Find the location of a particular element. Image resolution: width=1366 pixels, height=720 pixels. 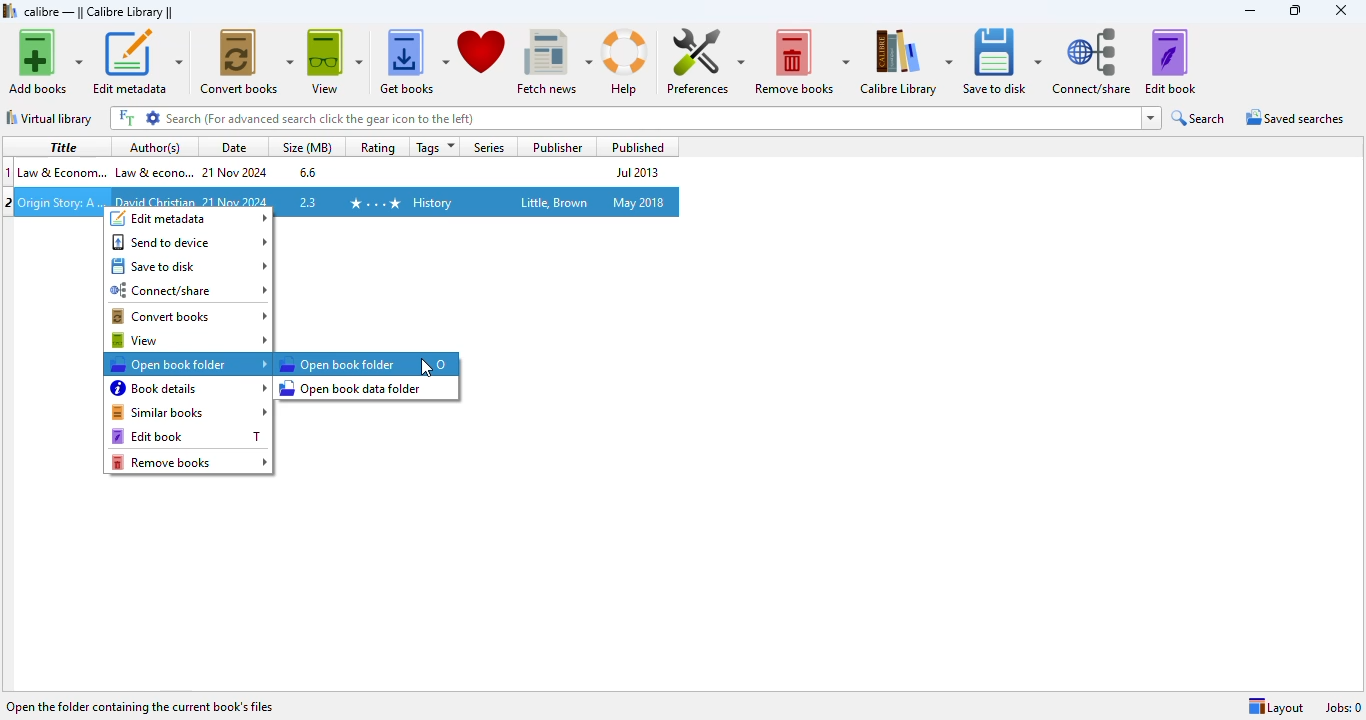

save to disk is located at coordinates (190, 266).